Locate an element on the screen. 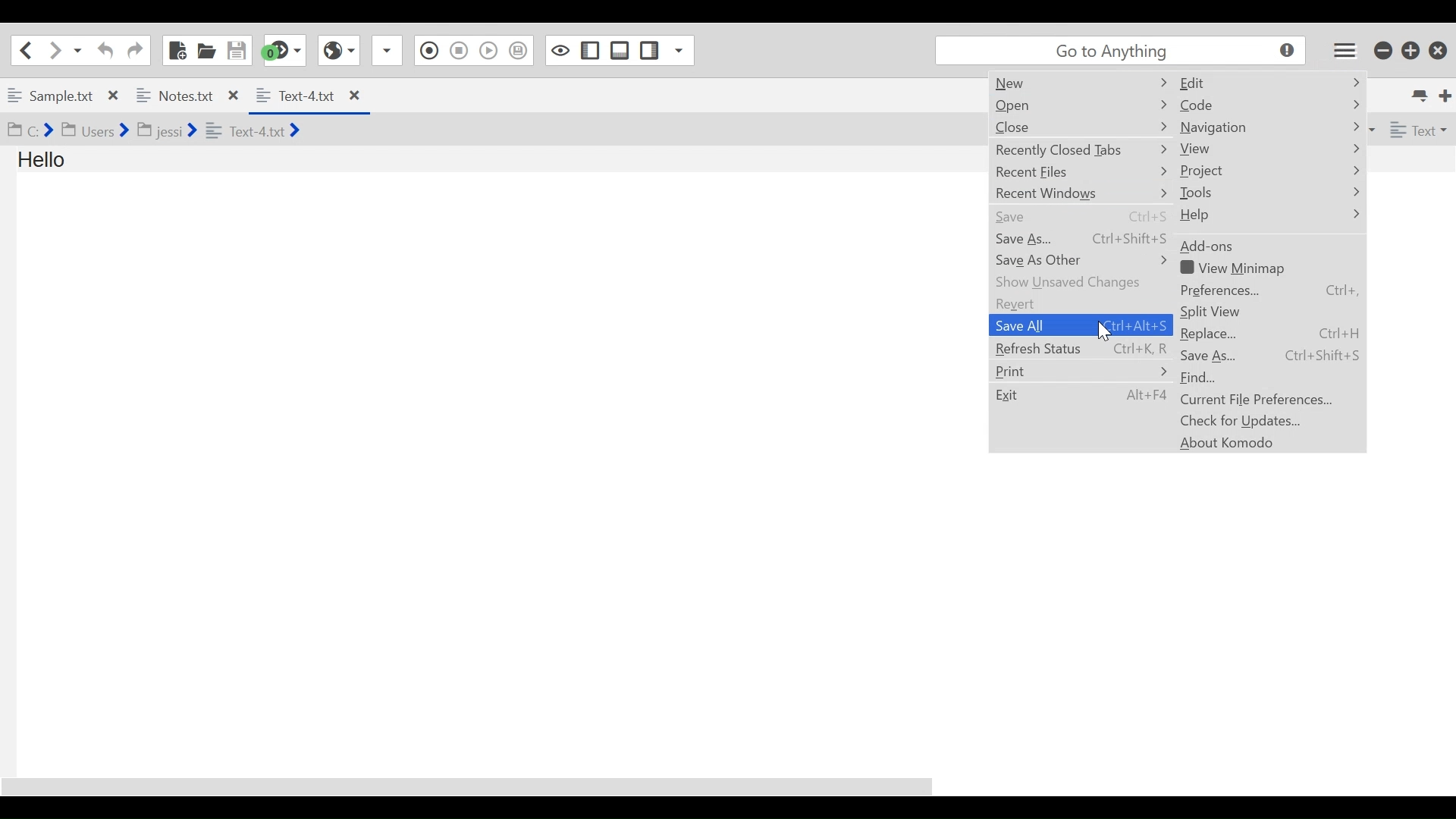 The image size is (1456, 819). Recent Files is located at coordinates (1081, 171).